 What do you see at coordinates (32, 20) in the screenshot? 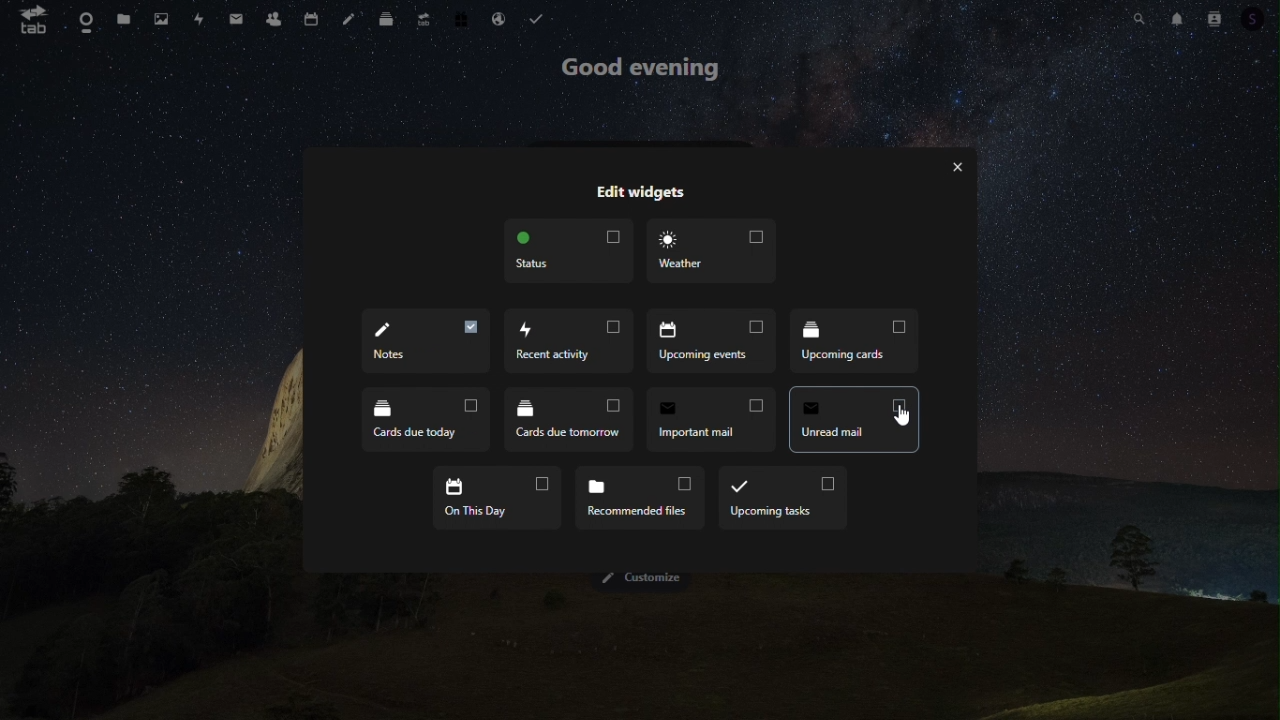
I see `tab` at bounding box center [32, 20].